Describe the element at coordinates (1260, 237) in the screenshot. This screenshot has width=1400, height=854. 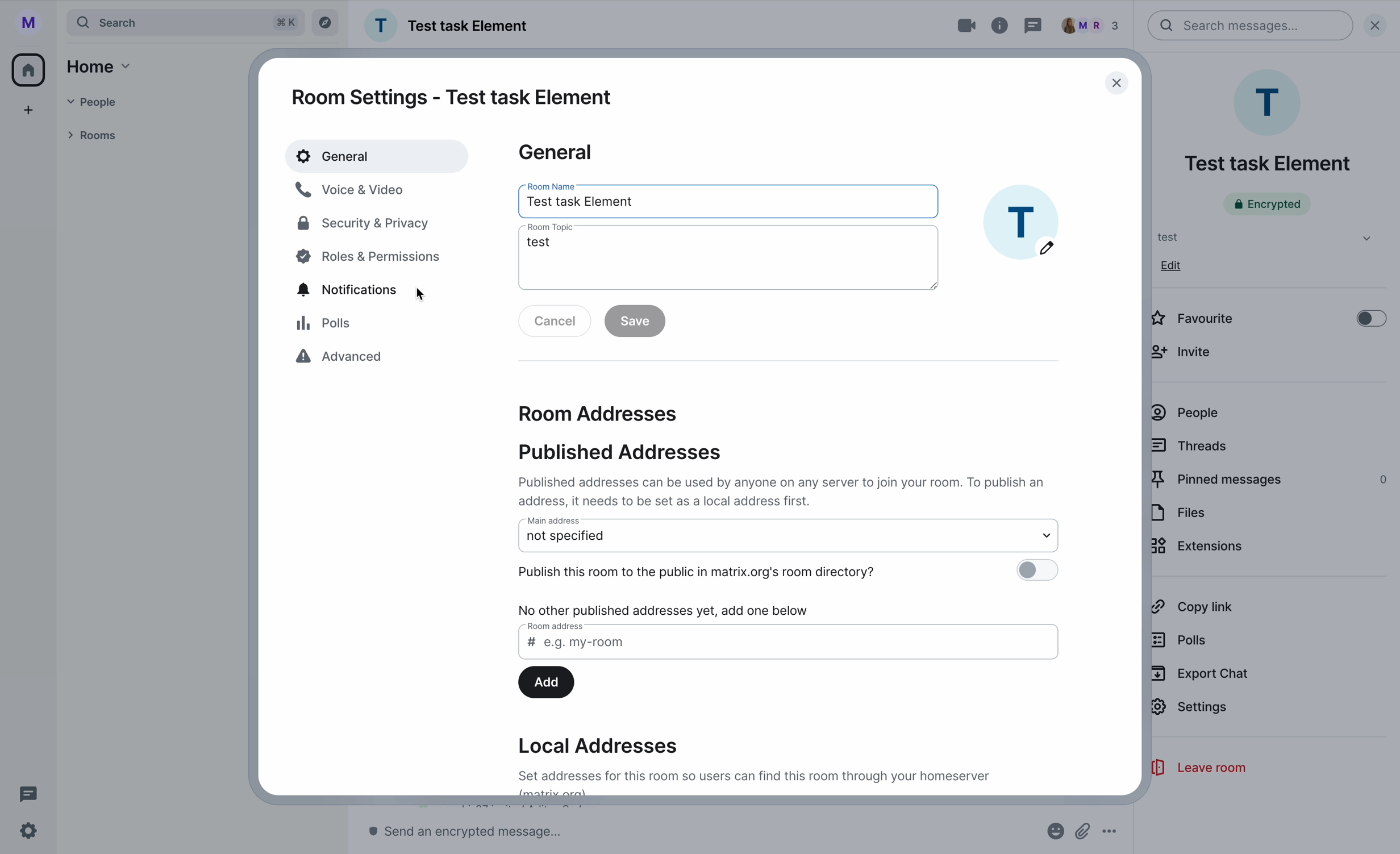
I see `test tab` at that location.